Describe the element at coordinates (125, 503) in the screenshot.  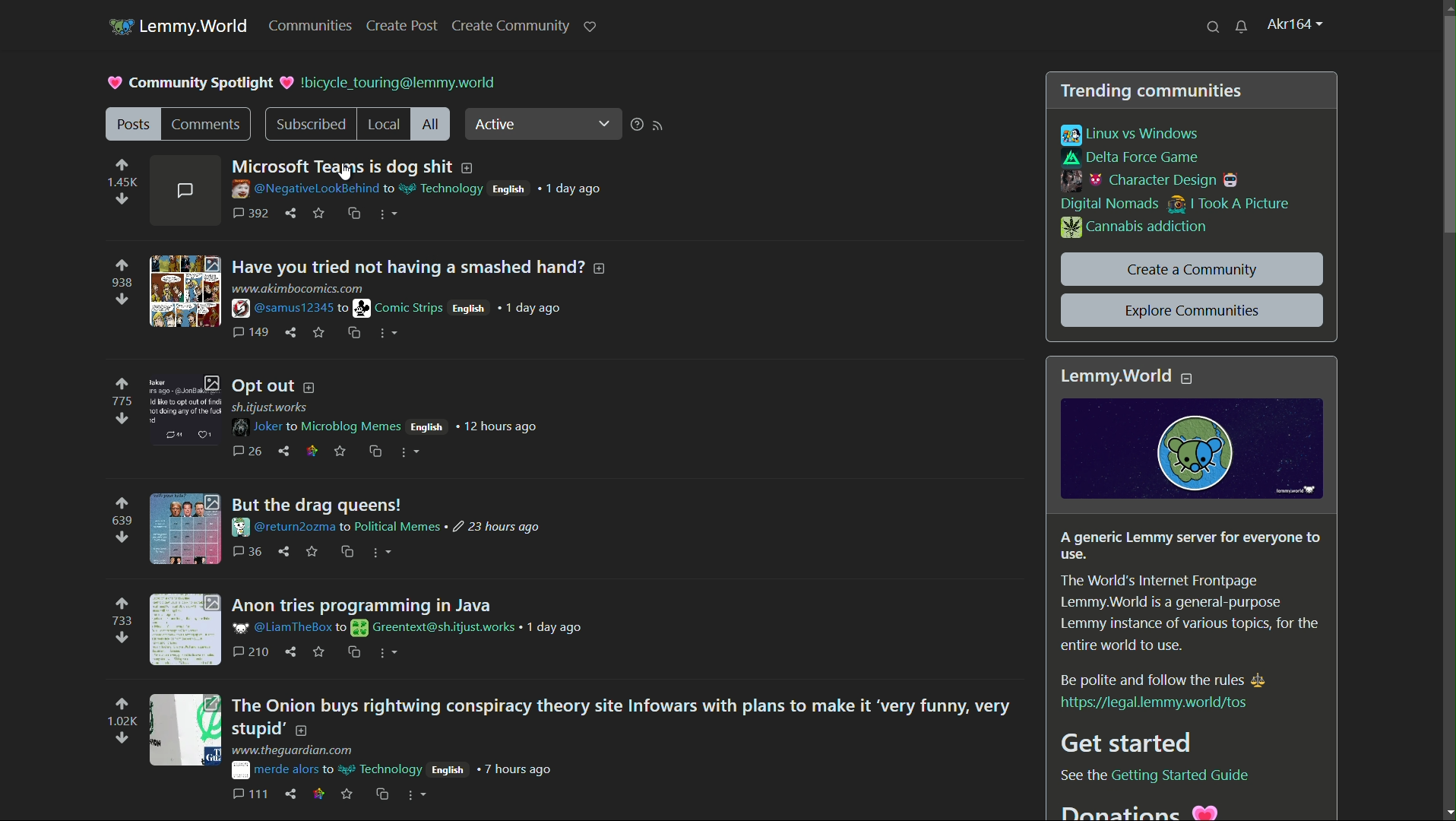
I see `upvote` at that location.